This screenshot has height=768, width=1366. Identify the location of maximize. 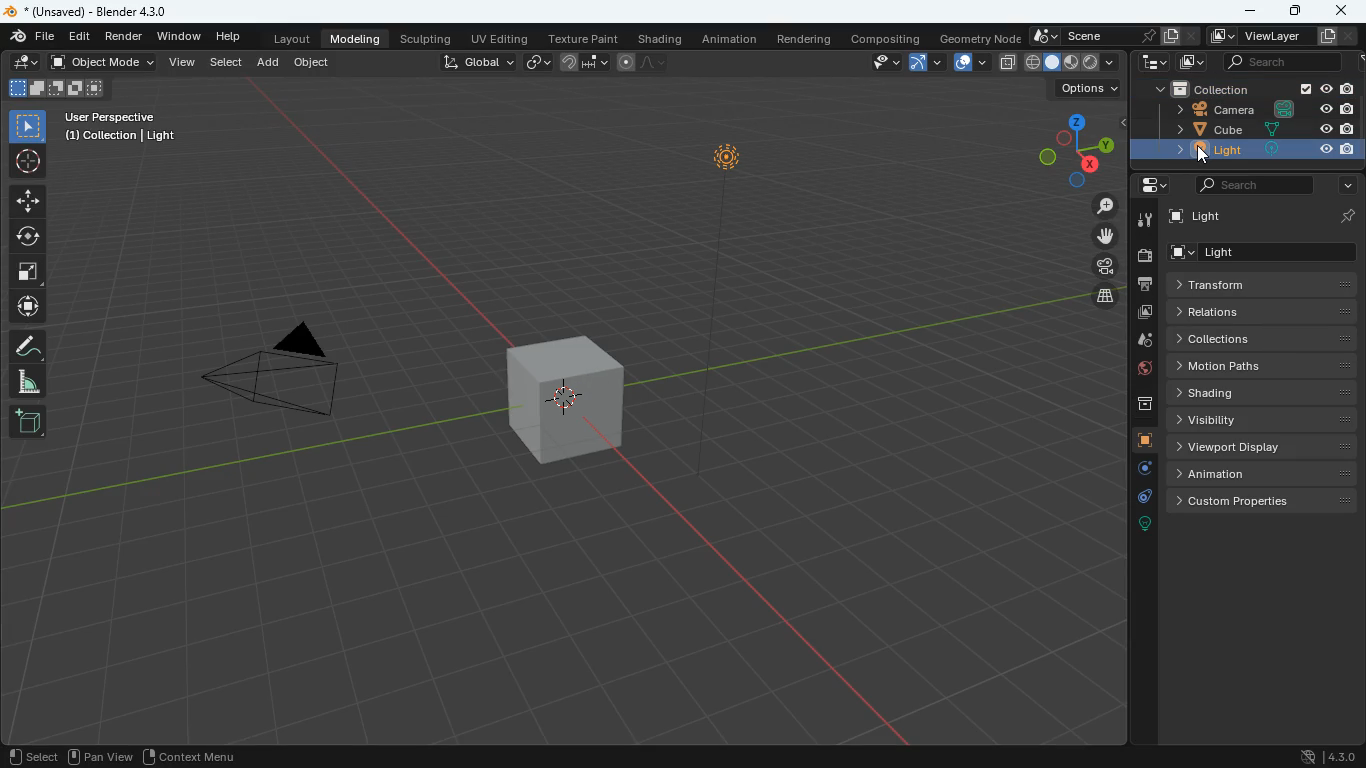
(1297, 12).